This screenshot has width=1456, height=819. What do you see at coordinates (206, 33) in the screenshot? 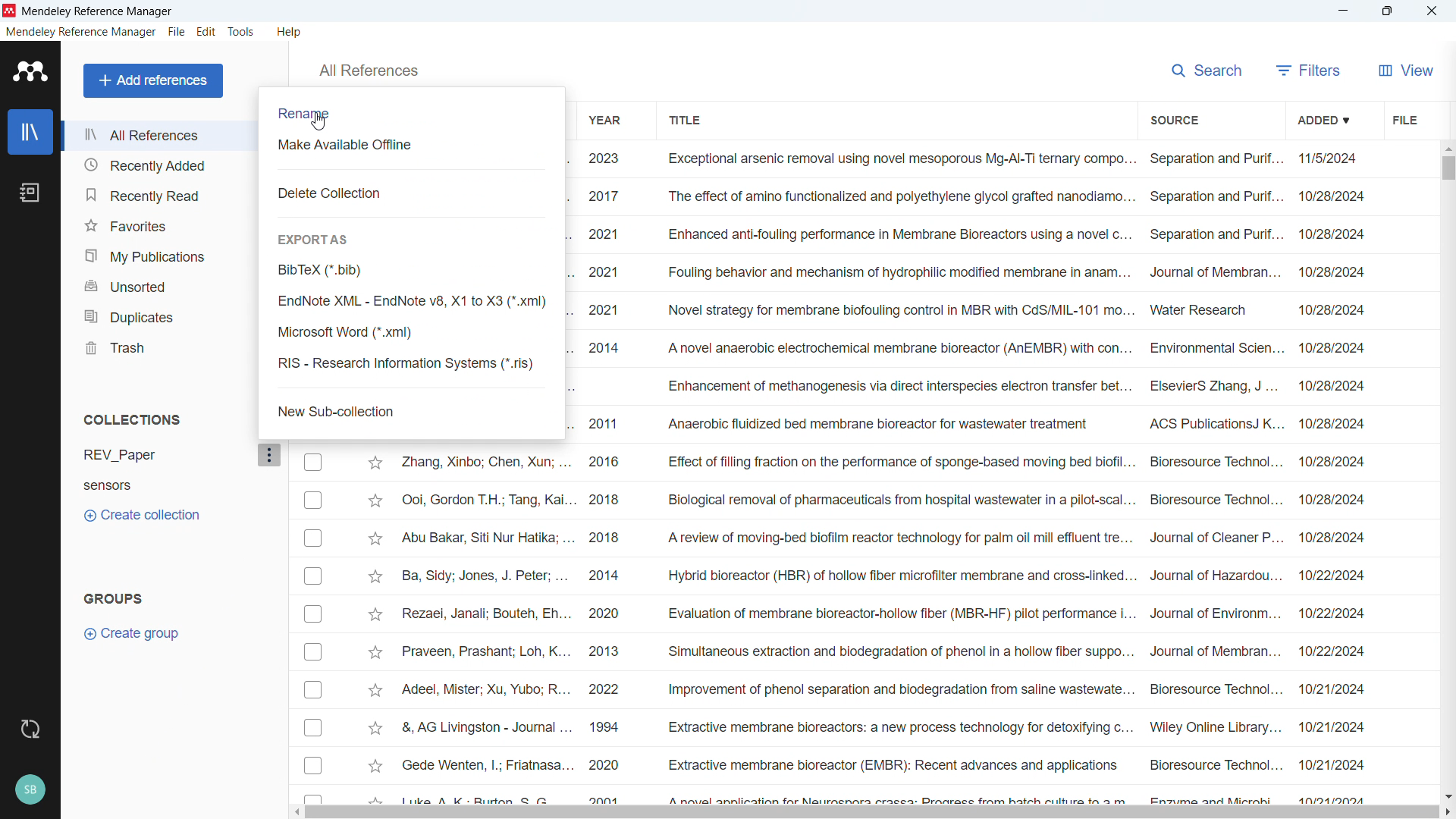
I see `edit` at bounding box center [206, 33].